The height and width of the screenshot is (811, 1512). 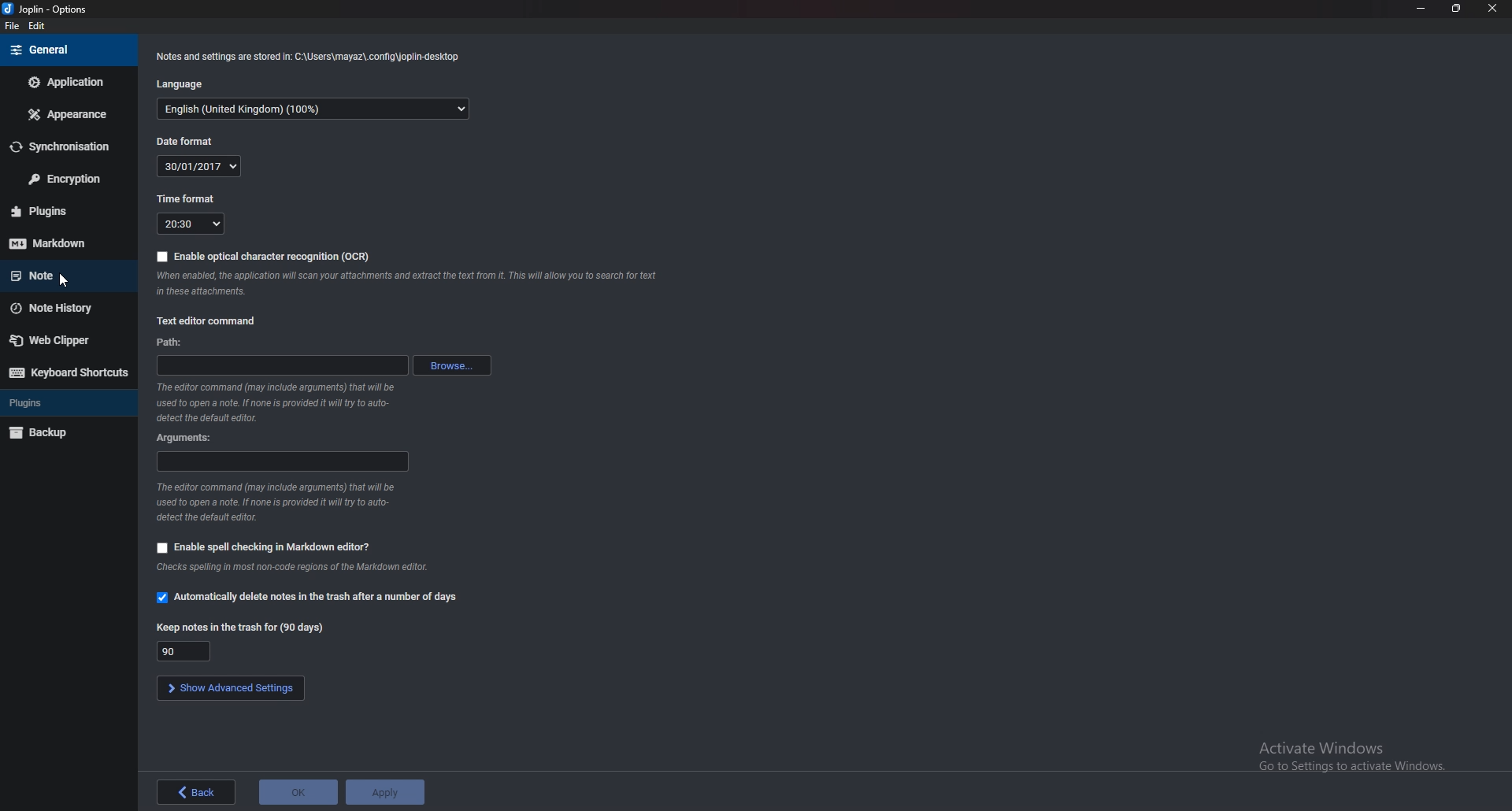 What do you see at coordinates (66, 147) in the screenshot?
I see `Synchronization` at bounding box center [66, 147].